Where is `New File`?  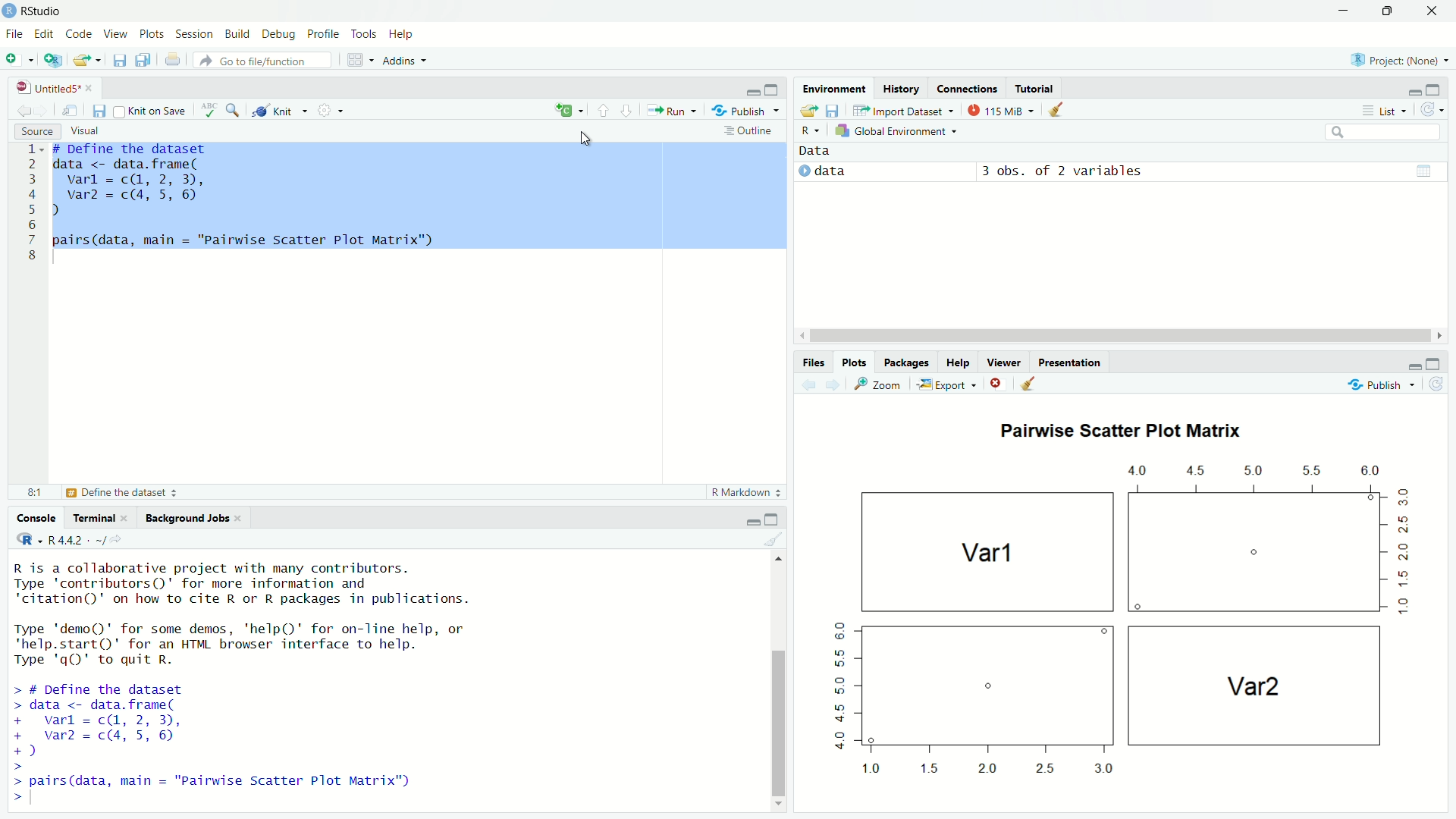
New File is located at coordinates (18, 58).